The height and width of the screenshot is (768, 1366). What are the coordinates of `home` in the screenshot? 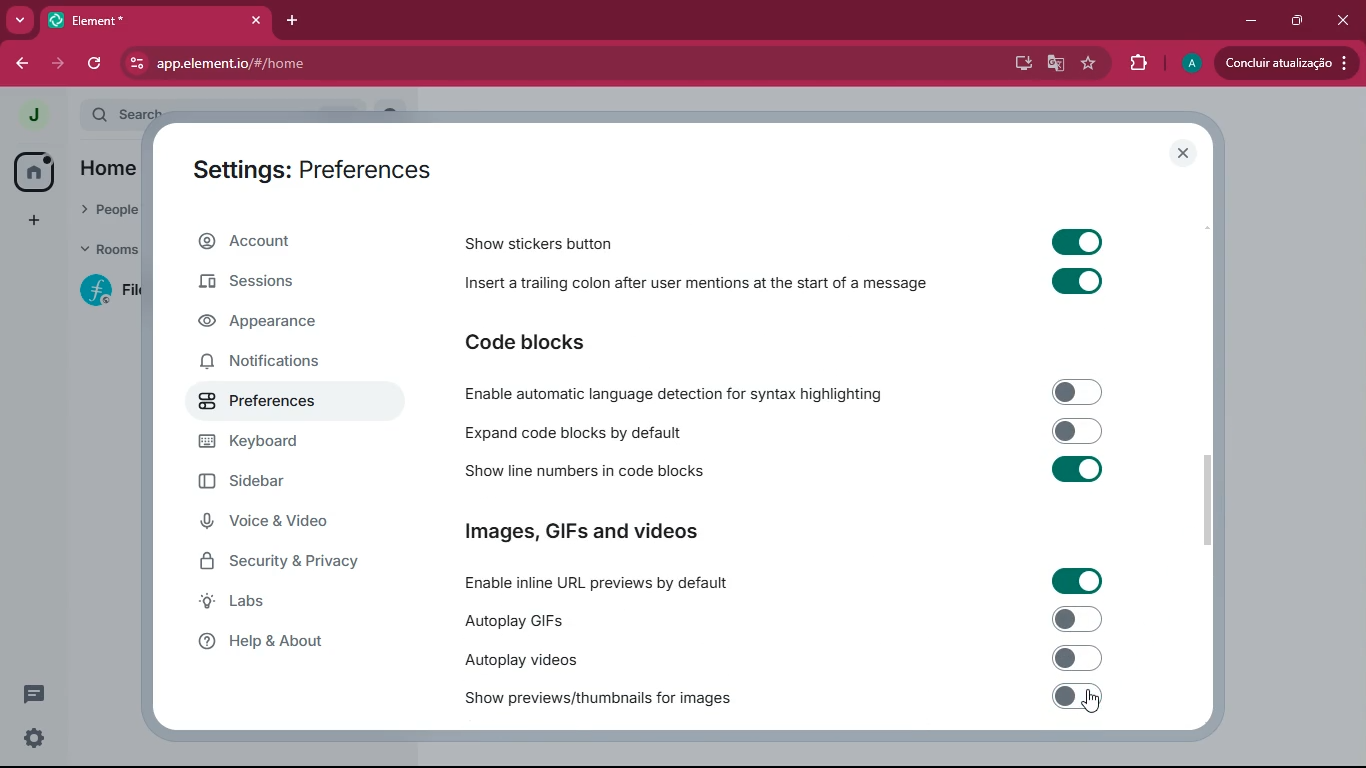 It's located at (33, 171).